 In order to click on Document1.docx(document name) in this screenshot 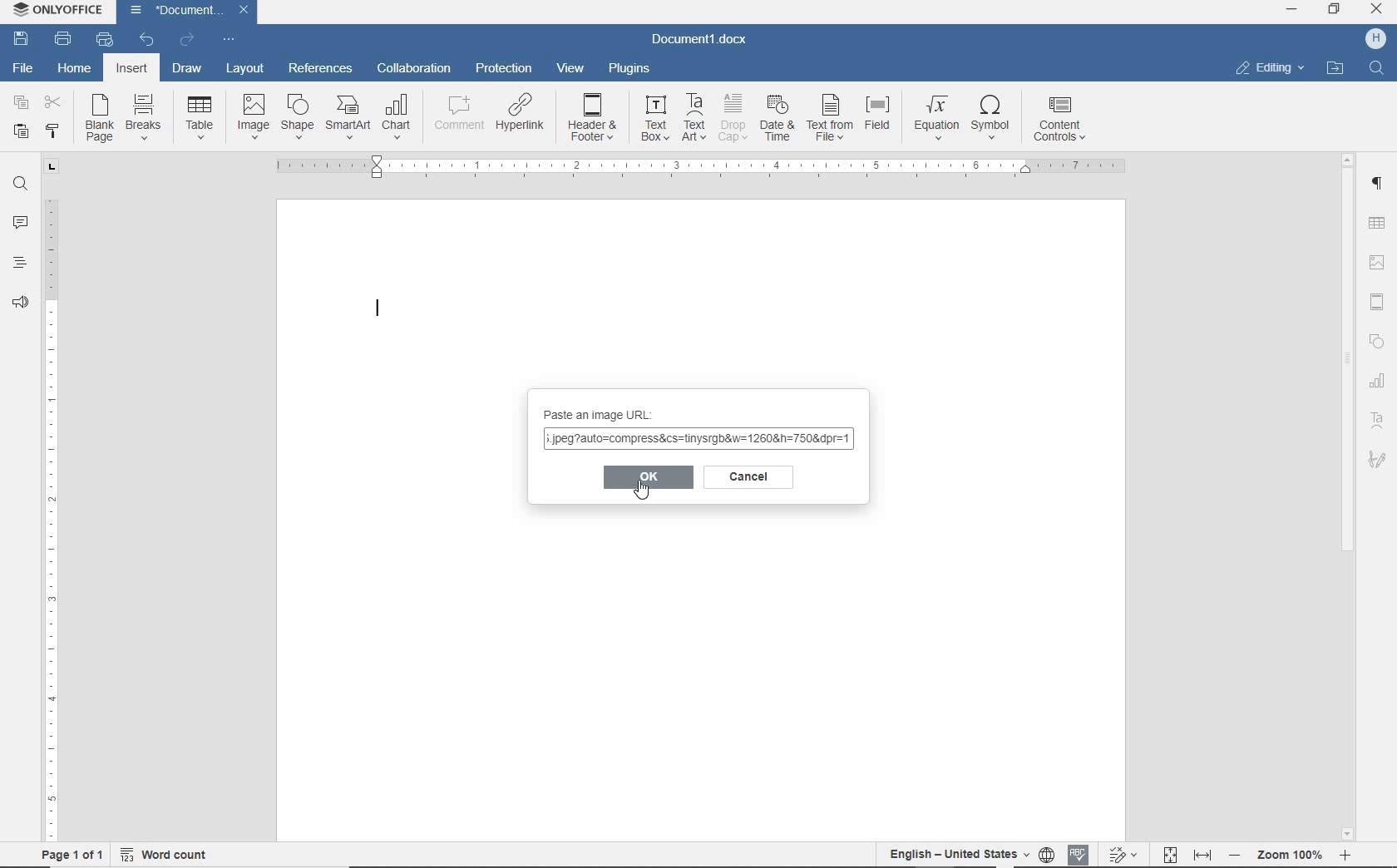, I will do `click(698, 40)`.